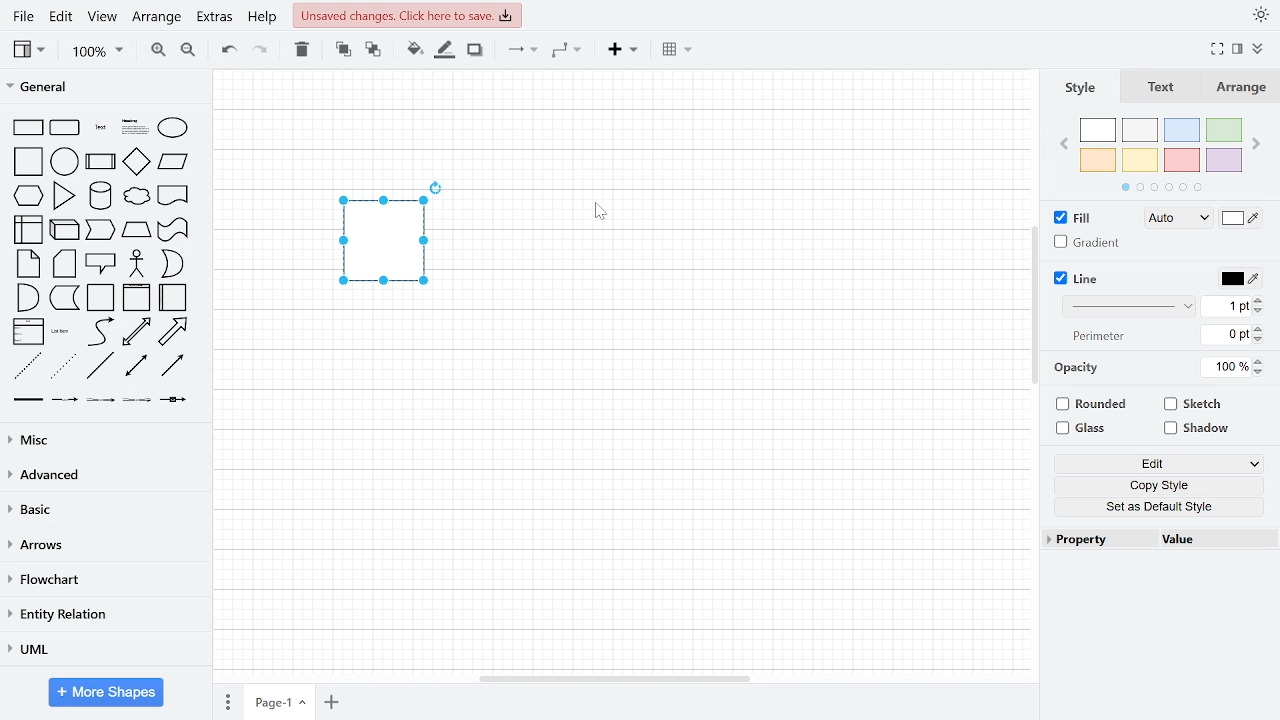 The width and height of the screenshot is (1280, 720). What do you see at coordinates (1225, 160) in the screenshot?
I see `violet` at bounding box center [1225, 160].